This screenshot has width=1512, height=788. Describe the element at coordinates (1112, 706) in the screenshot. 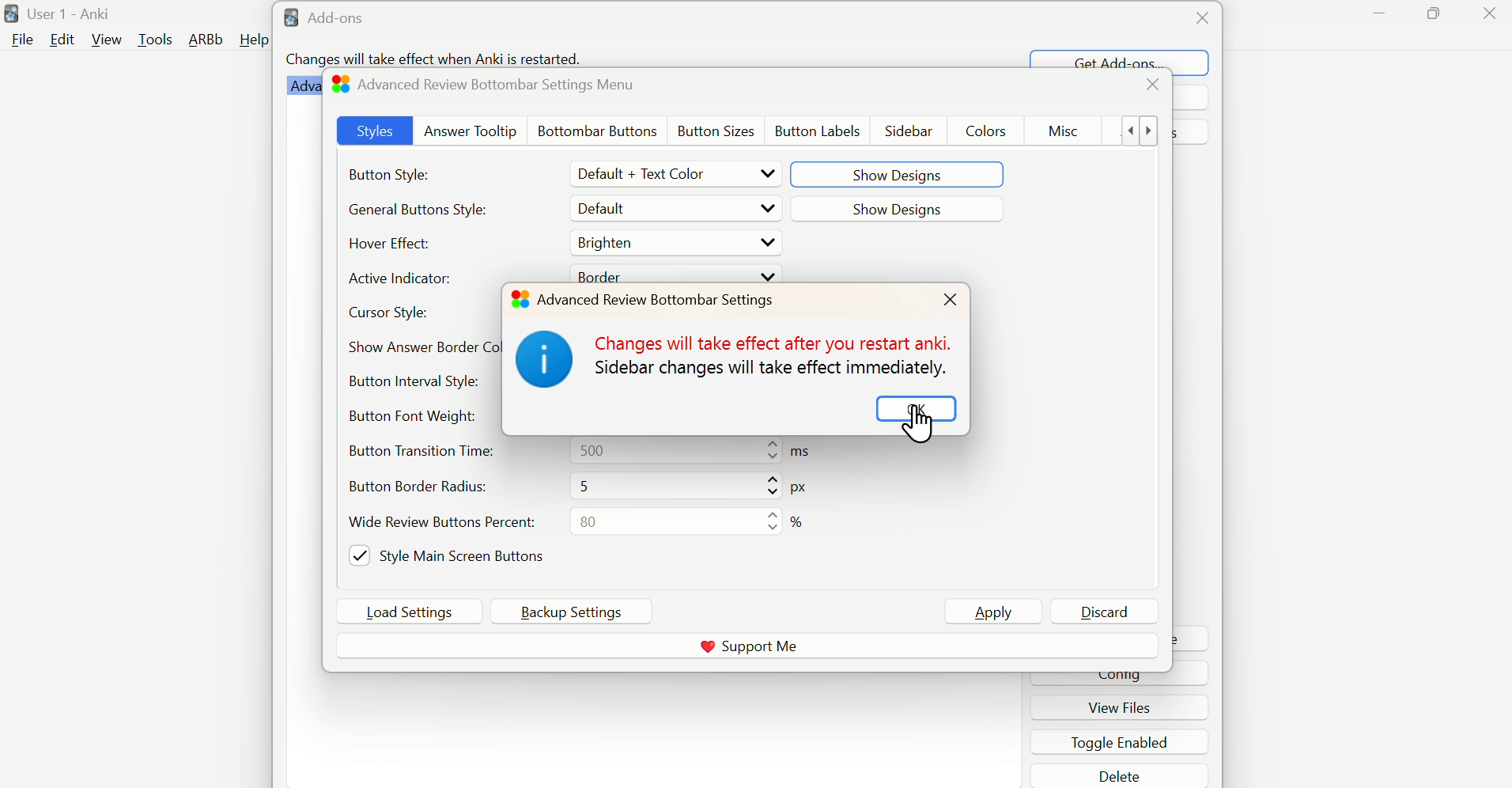

I see `view files` at that location.